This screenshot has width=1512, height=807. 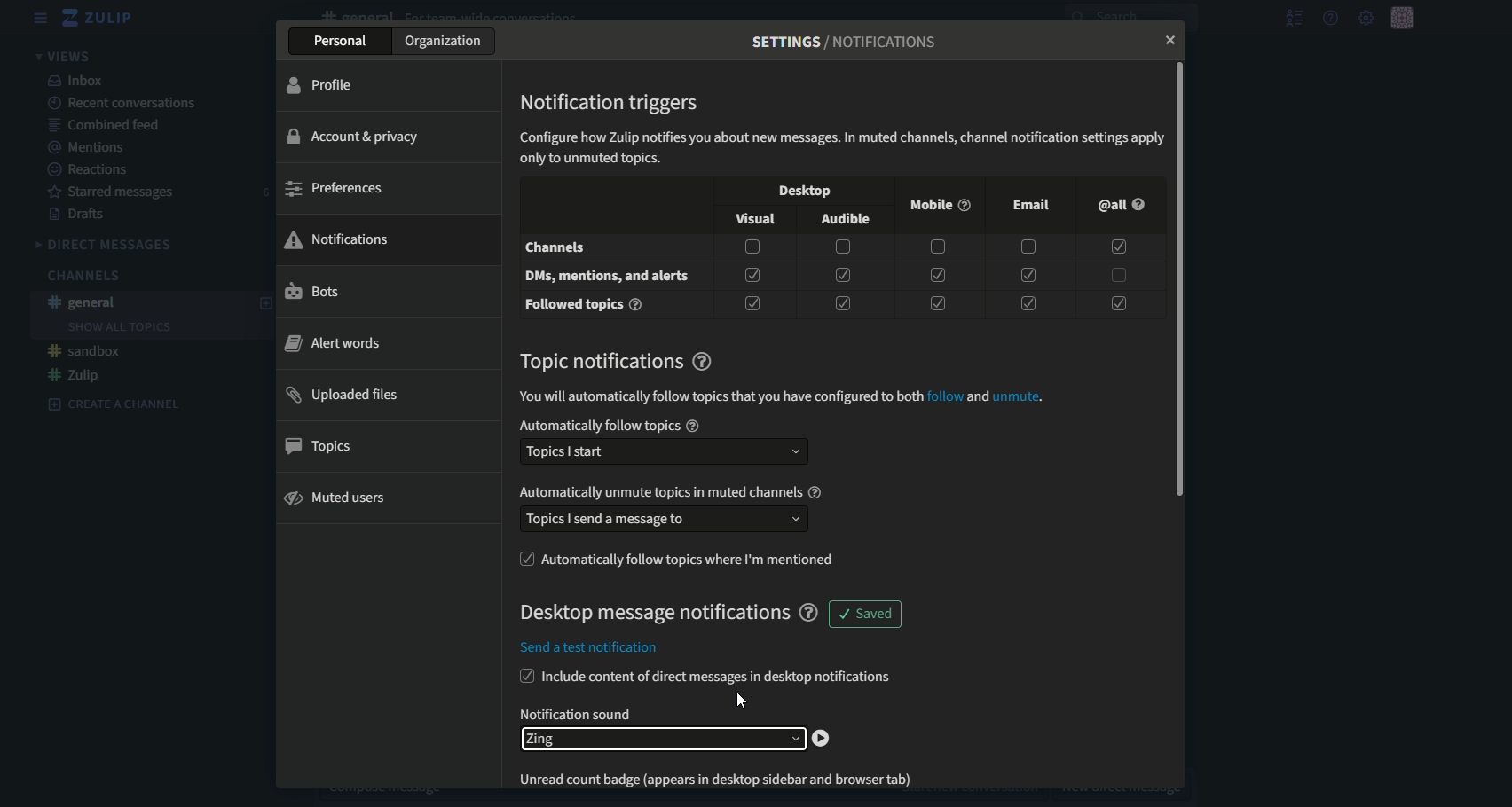 What do you see at coordinates (753, 218) in the screenshot?
I see `visual` at bounding box center [753, 218].